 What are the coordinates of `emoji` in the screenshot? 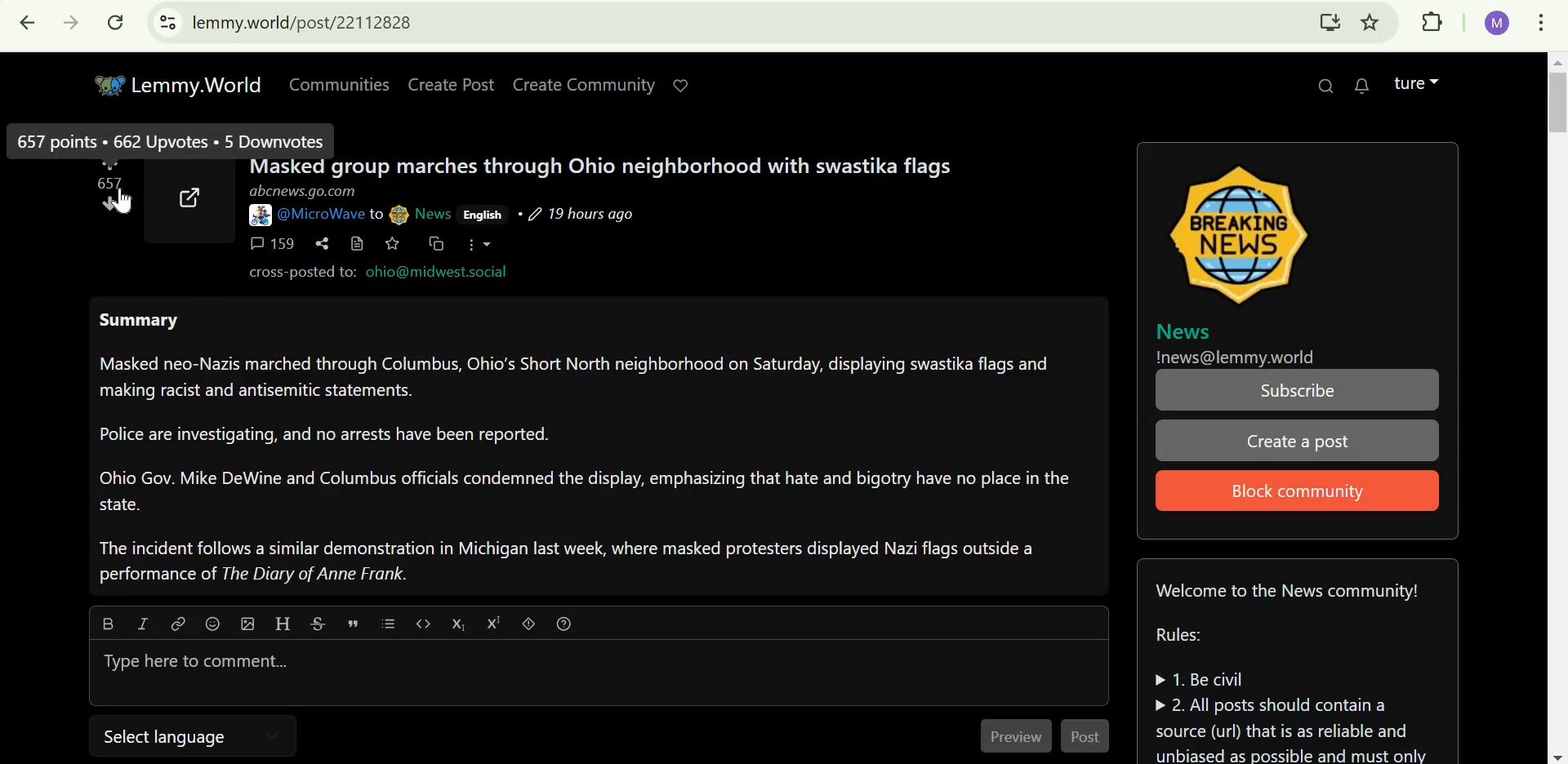 It's located at (214, 622).